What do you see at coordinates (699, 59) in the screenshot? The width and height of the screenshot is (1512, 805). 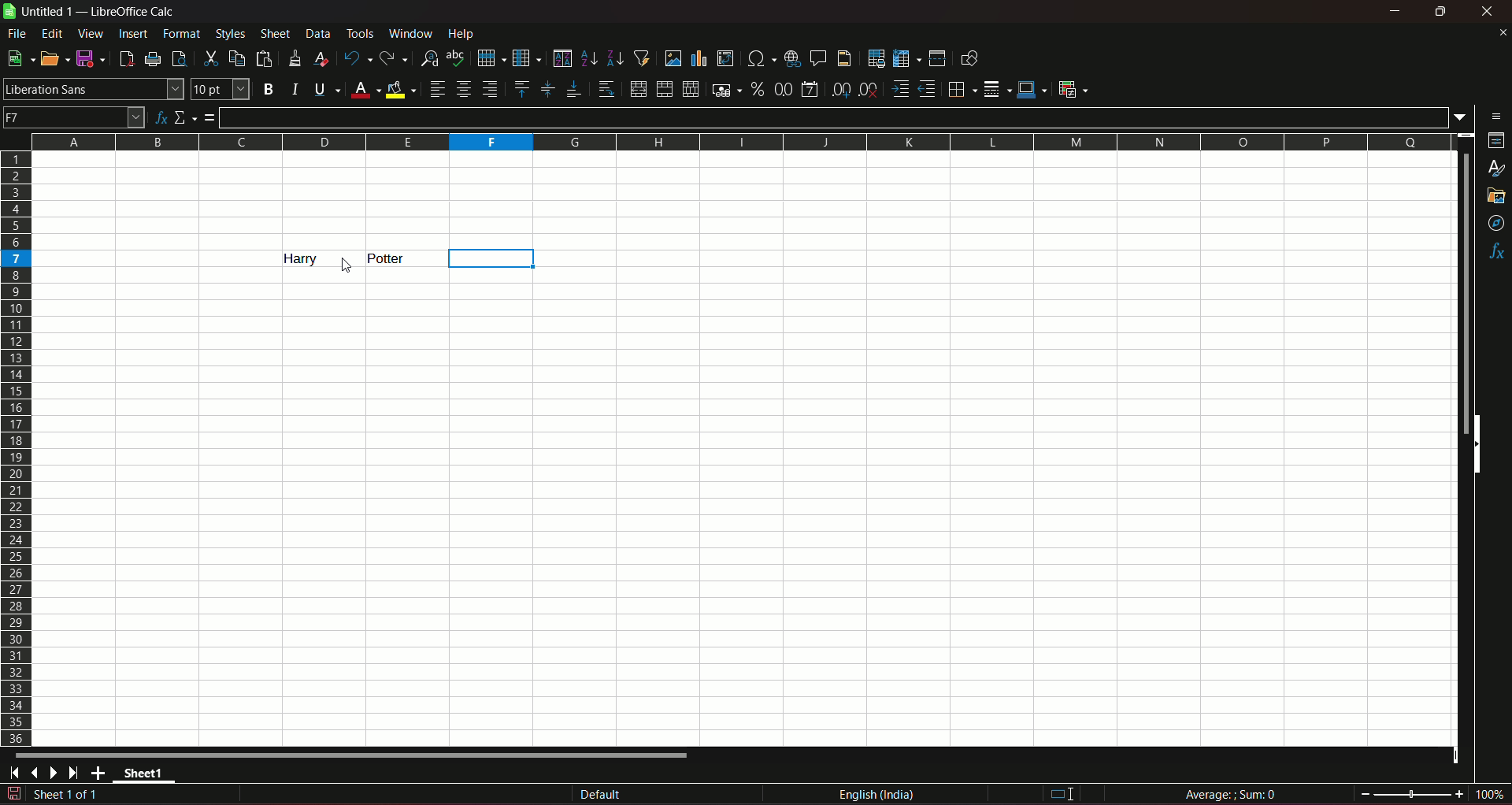 I see `insert chart` at bounding box center [699, 59].